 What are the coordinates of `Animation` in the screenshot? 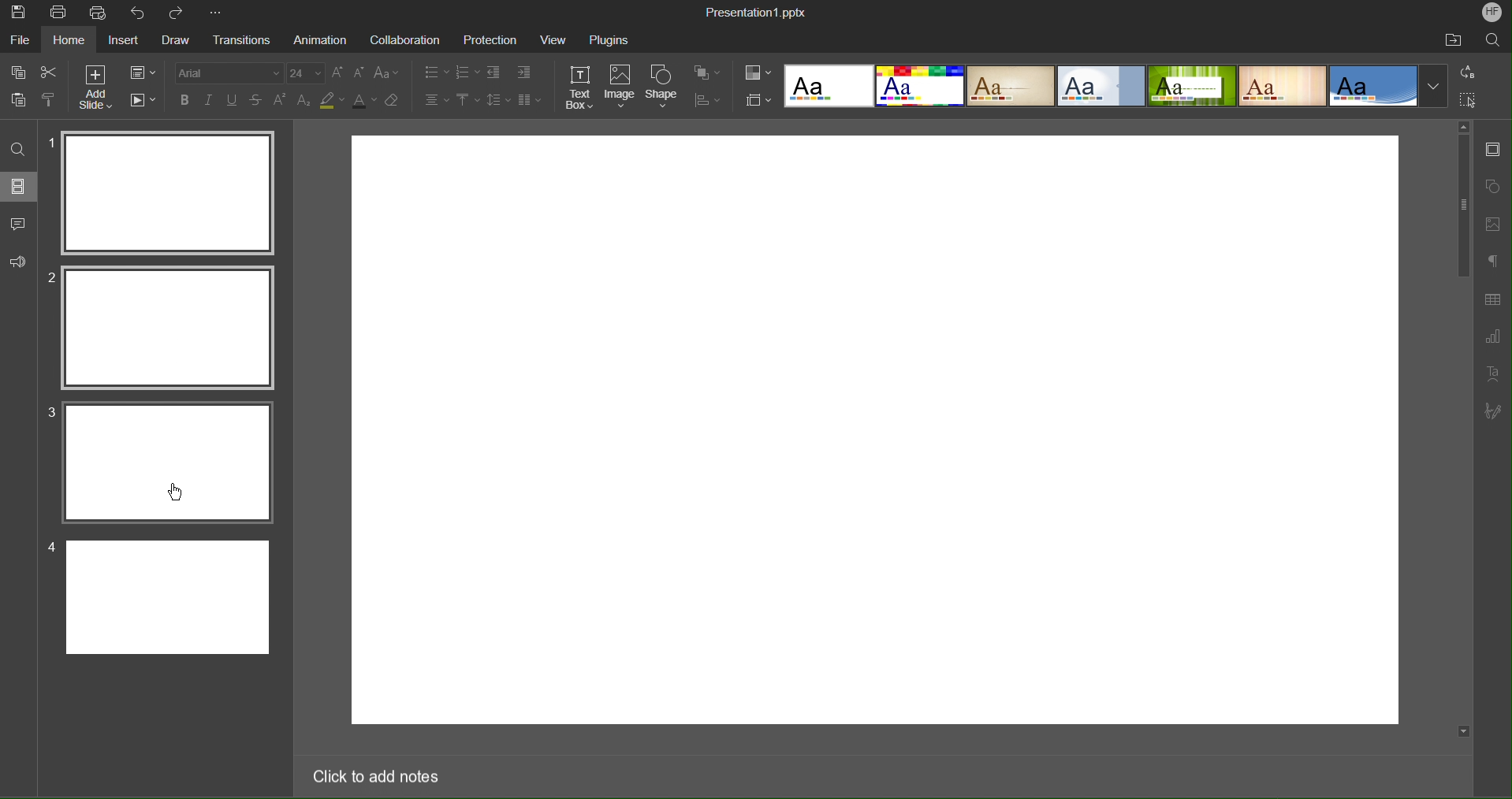 It's located at (319, 40).